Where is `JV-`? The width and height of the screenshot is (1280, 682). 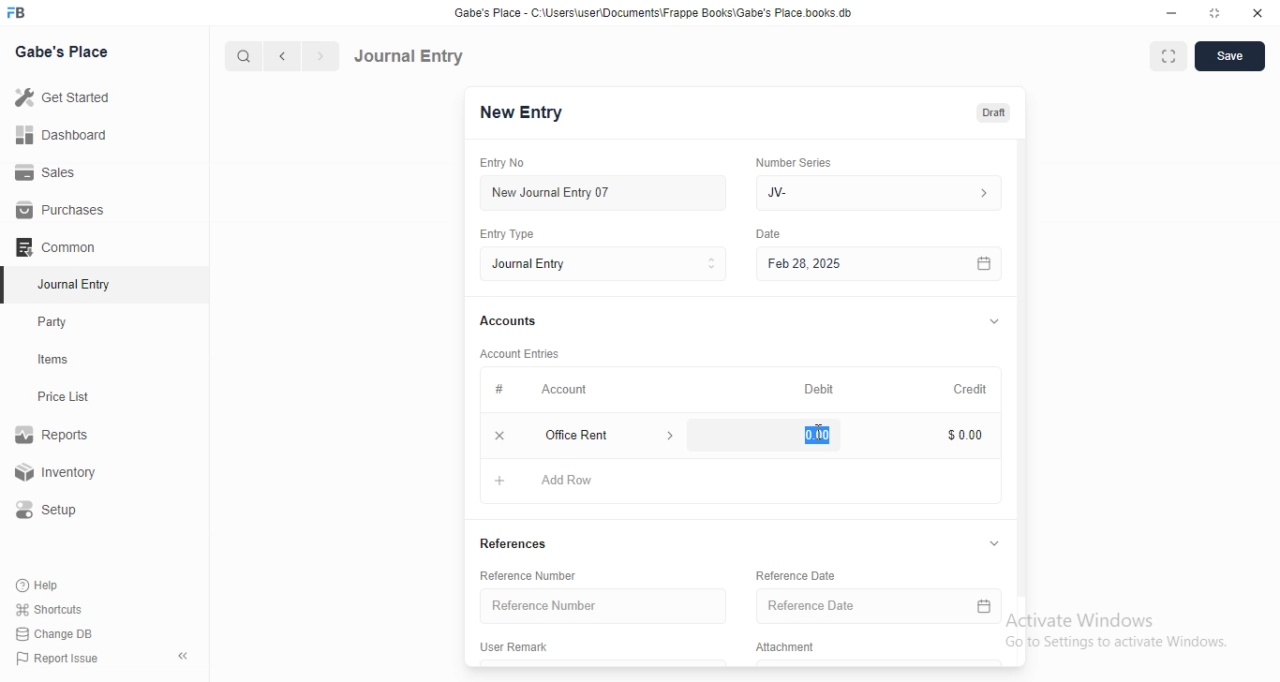 JV- is located at coordinates (883, 193).